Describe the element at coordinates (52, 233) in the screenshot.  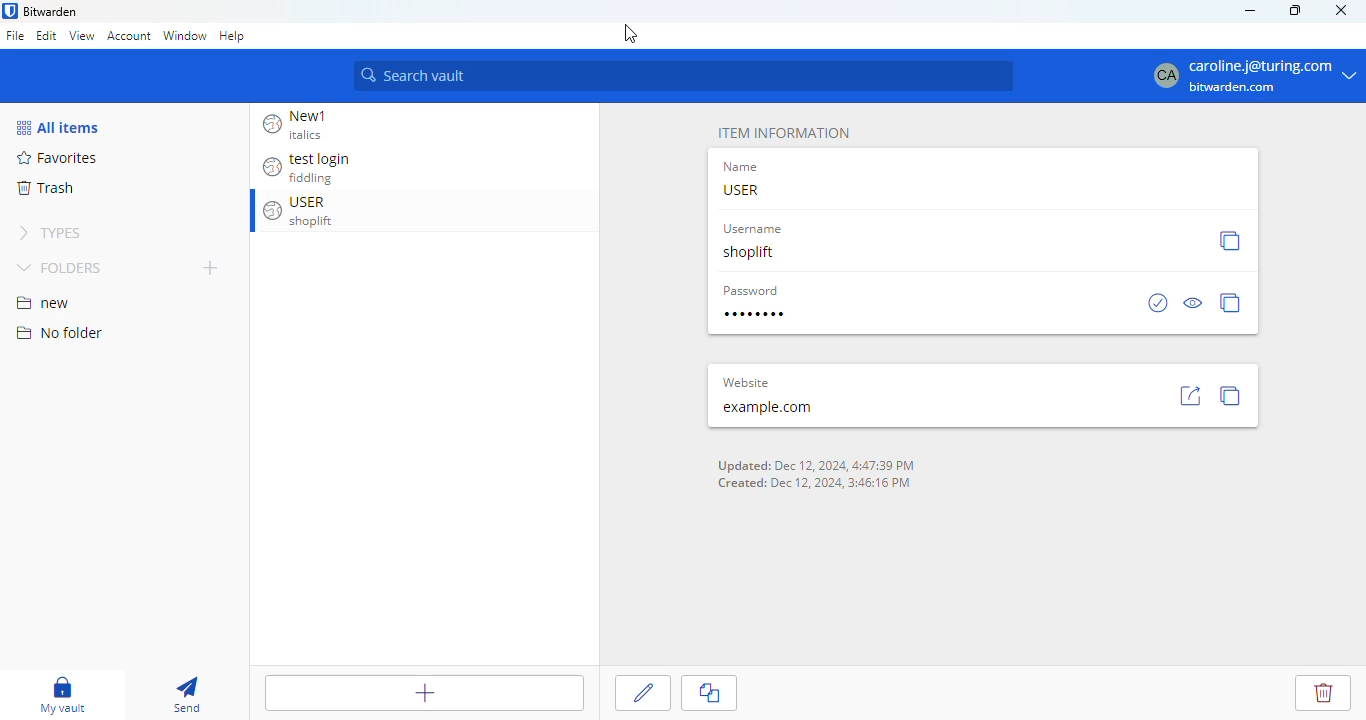
I see `types` at that location.